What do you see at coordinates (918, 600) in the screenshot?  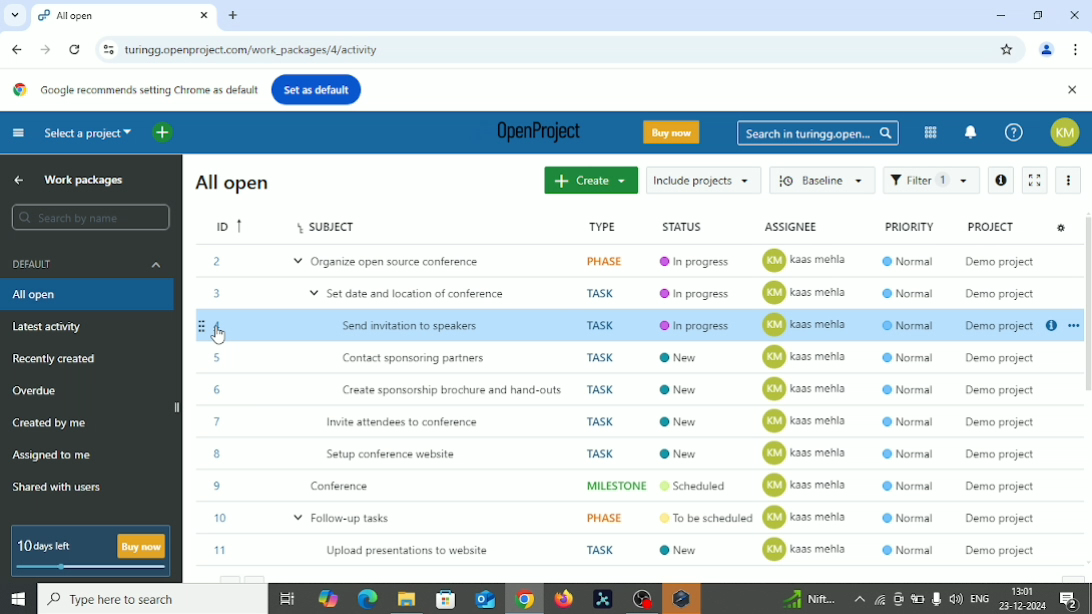 I see `Battery` at bounding box center [918, 600].